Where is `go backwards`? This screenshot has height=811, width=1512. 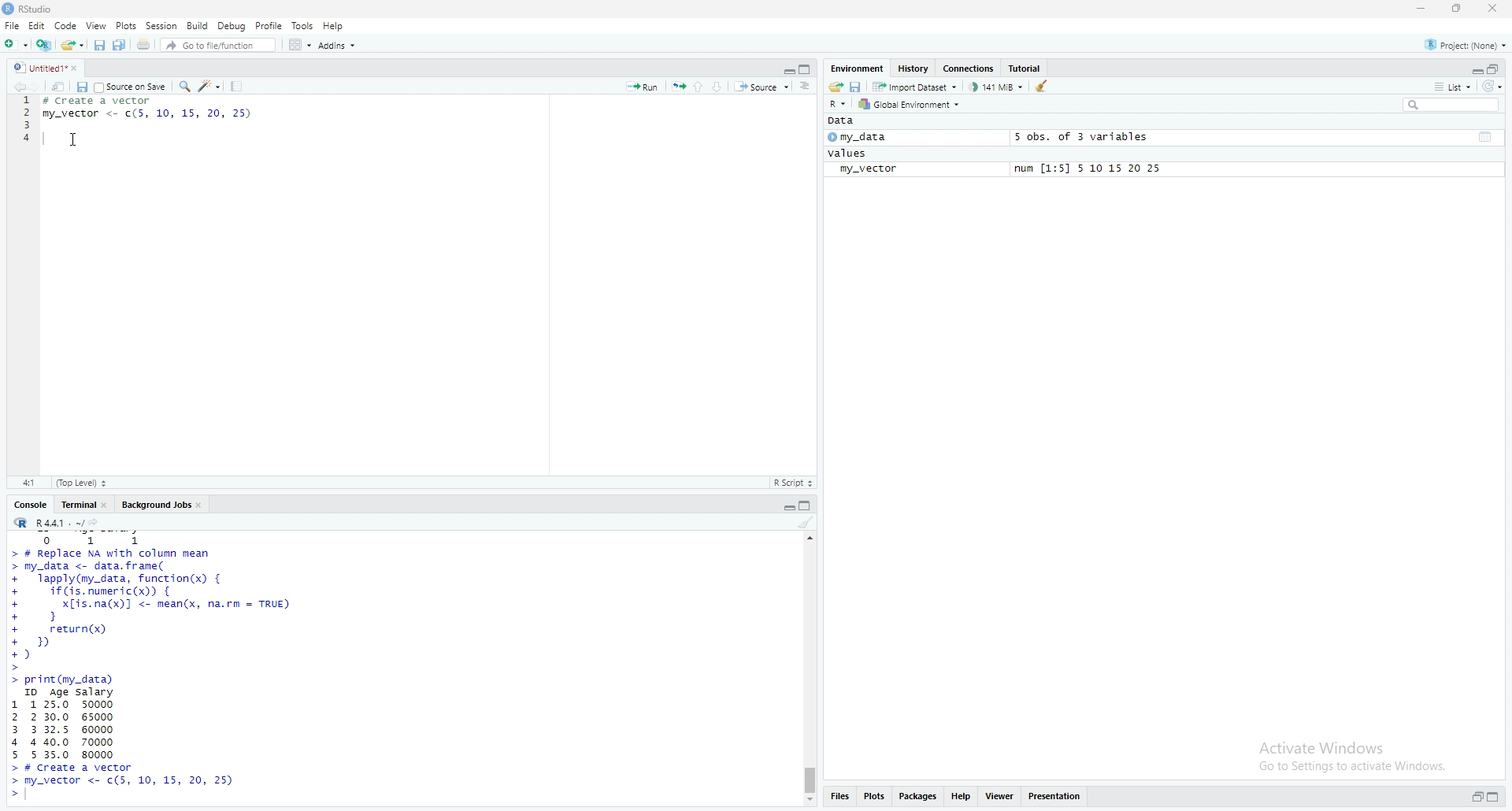
go backwards is located at coordinates (17, 87).